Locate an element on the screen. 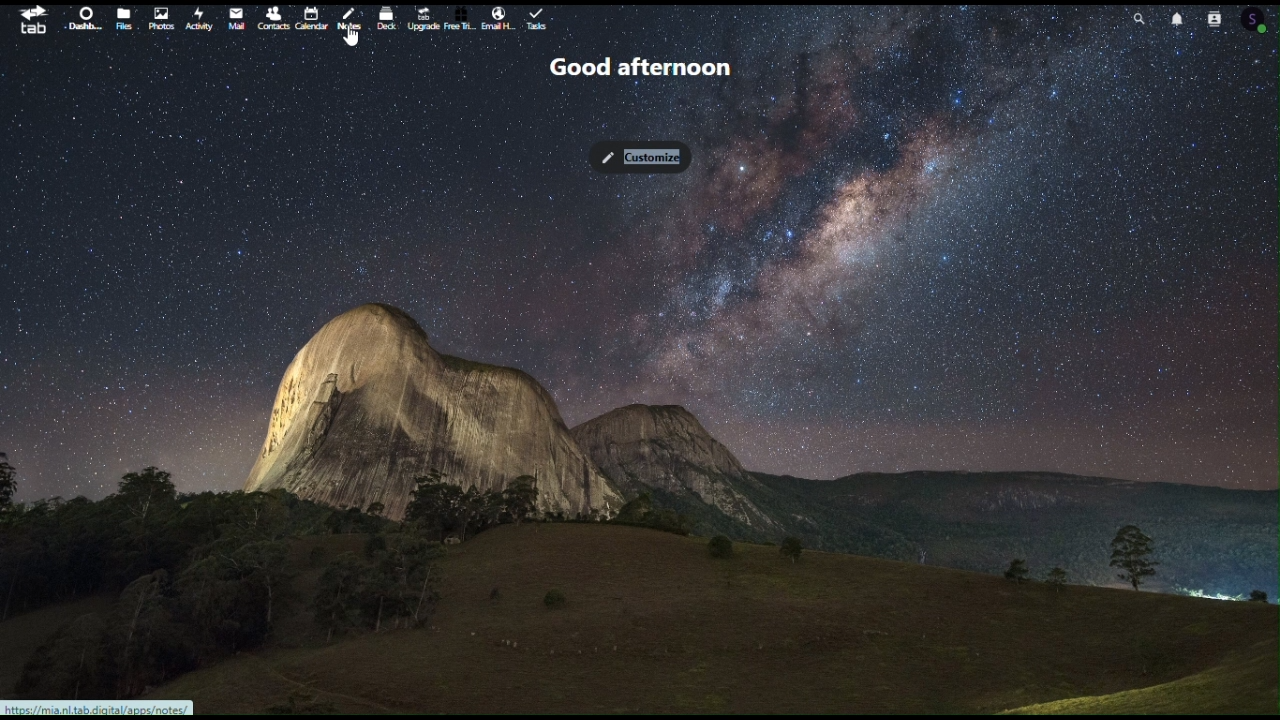  Notifications is located at coordinates (1182, 20).